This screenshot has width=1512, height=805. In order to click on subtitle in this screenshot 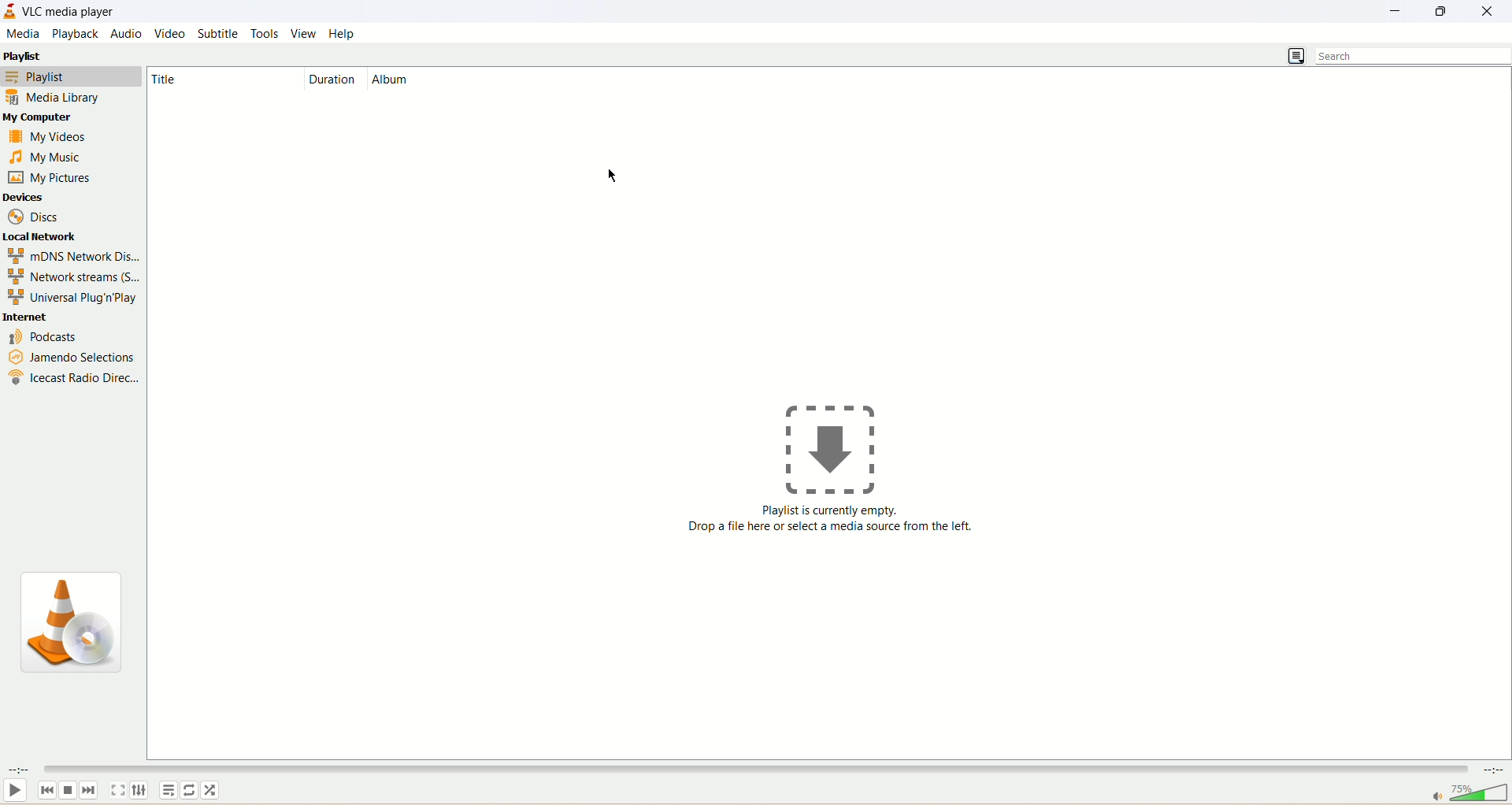, I will do `click(218, 32)`.